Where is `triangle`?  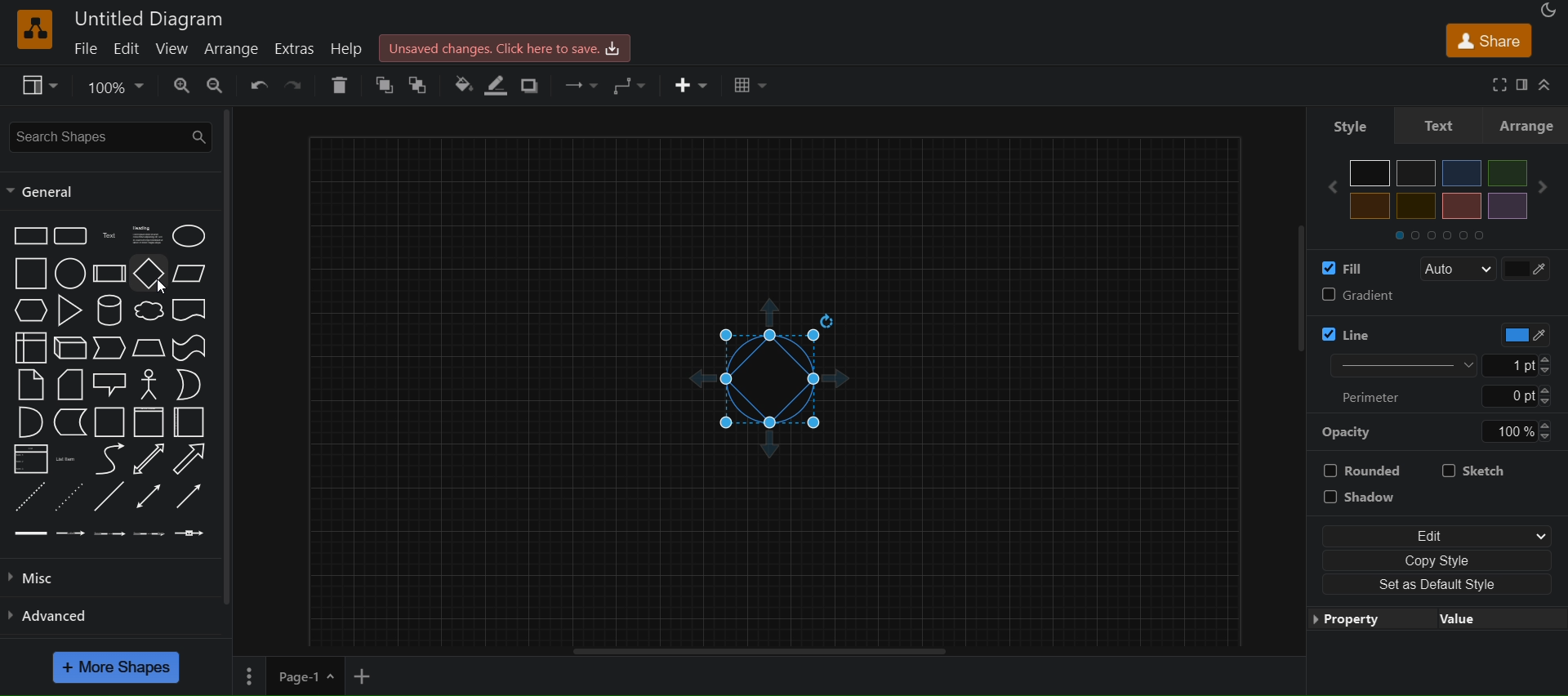
triangle is located at coordinates (73, 310).